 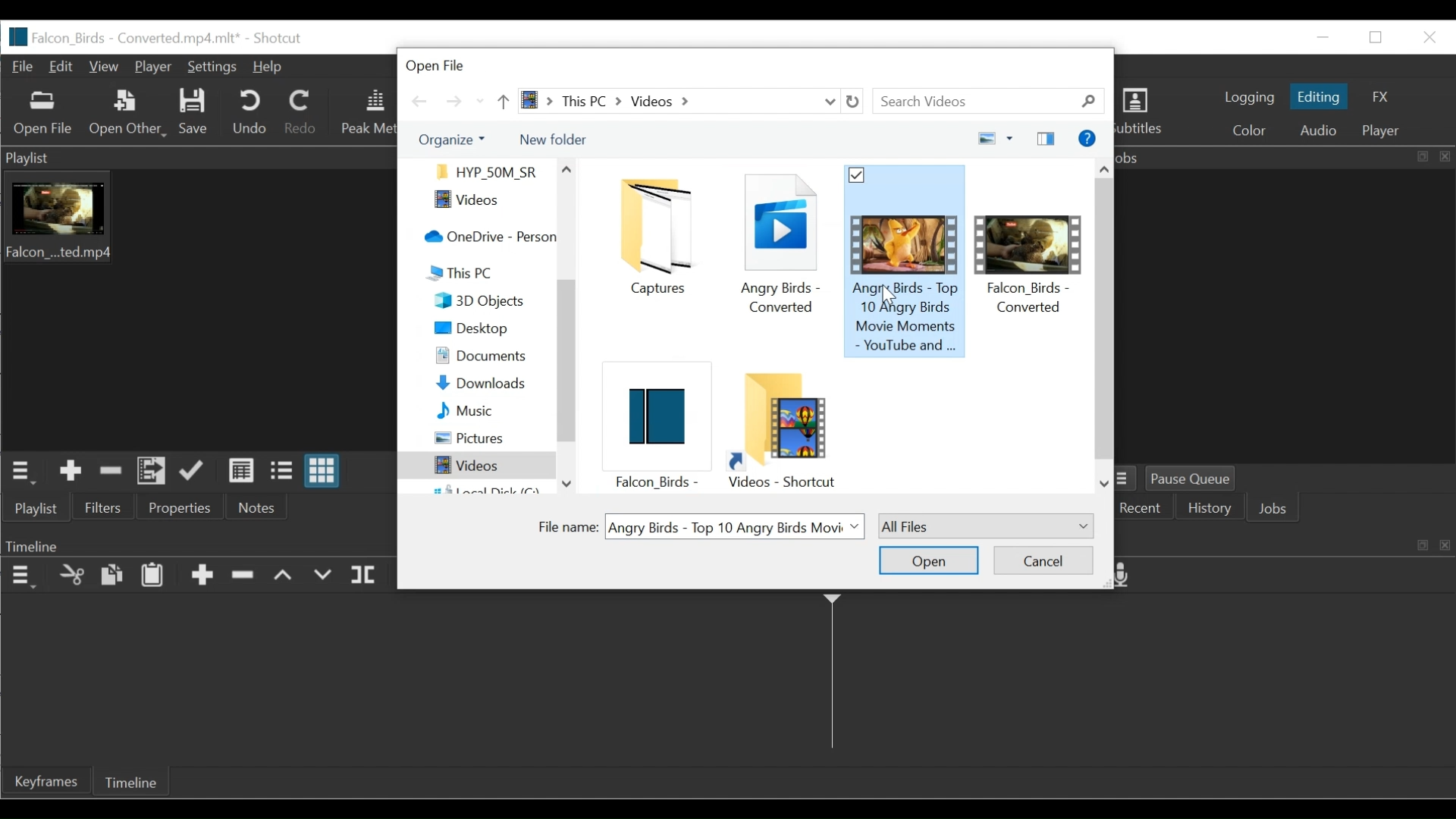 What do you see at coordinates (284, 576) in the screenshot?
I see `lift` at bounding box center [284, 576].